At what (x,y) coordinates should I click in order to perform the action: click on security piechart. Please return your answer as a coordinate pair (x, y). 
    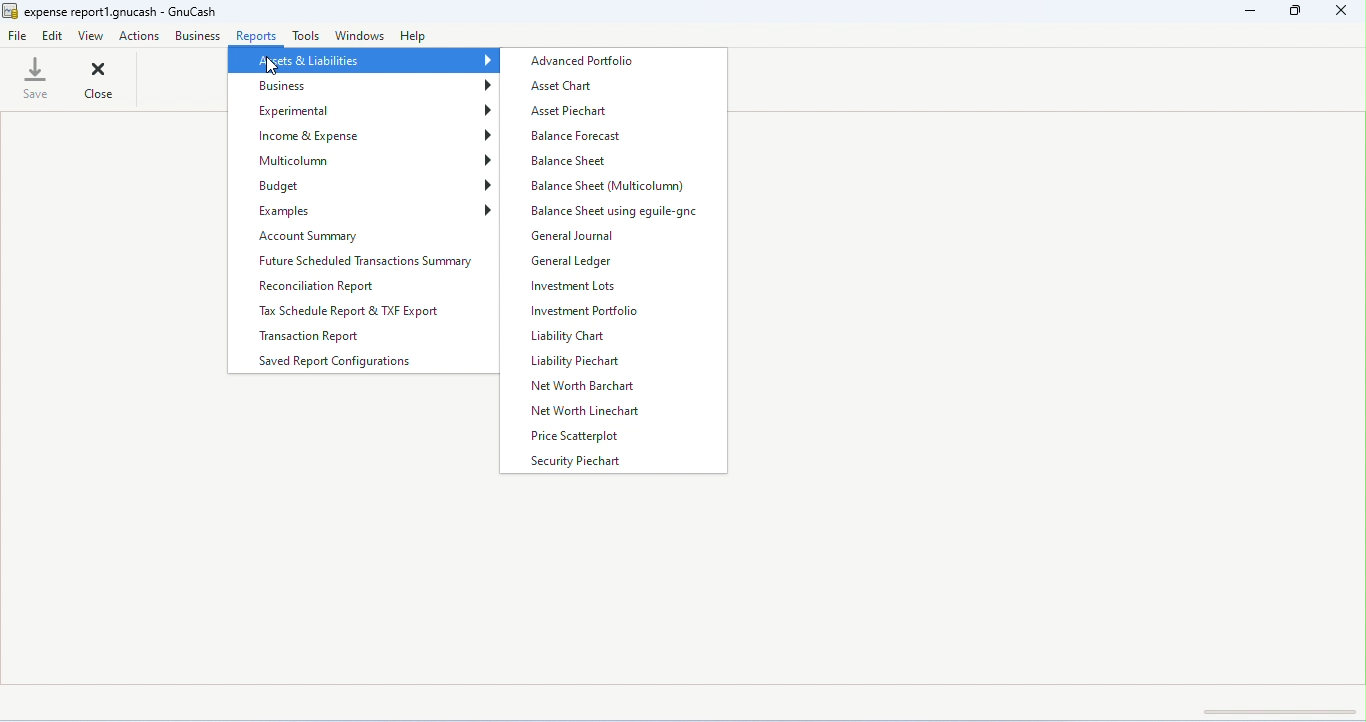
    Looking at the image, I should click on (580, 462).